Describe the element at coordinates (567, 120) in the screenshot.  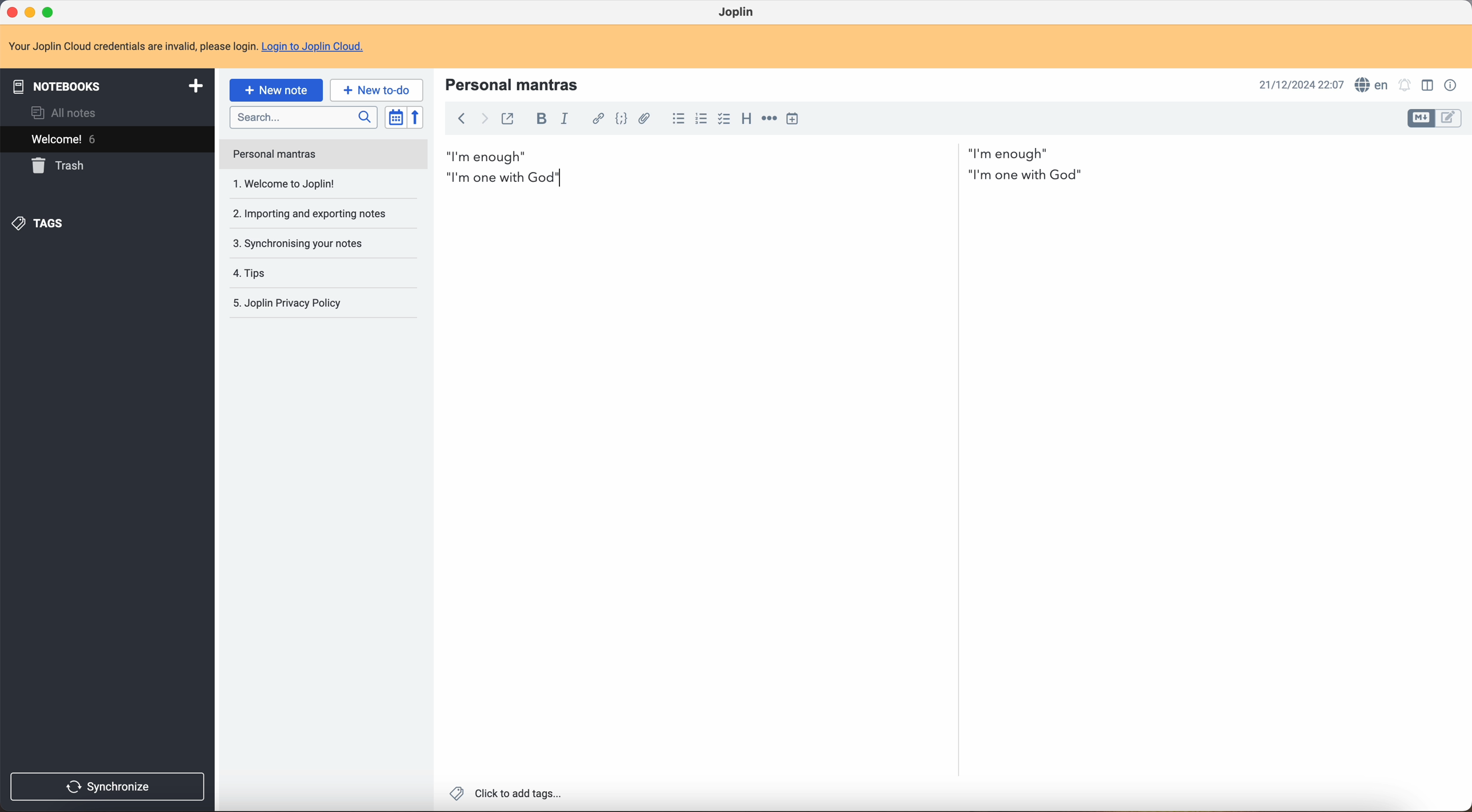
I see `italic` at that location.